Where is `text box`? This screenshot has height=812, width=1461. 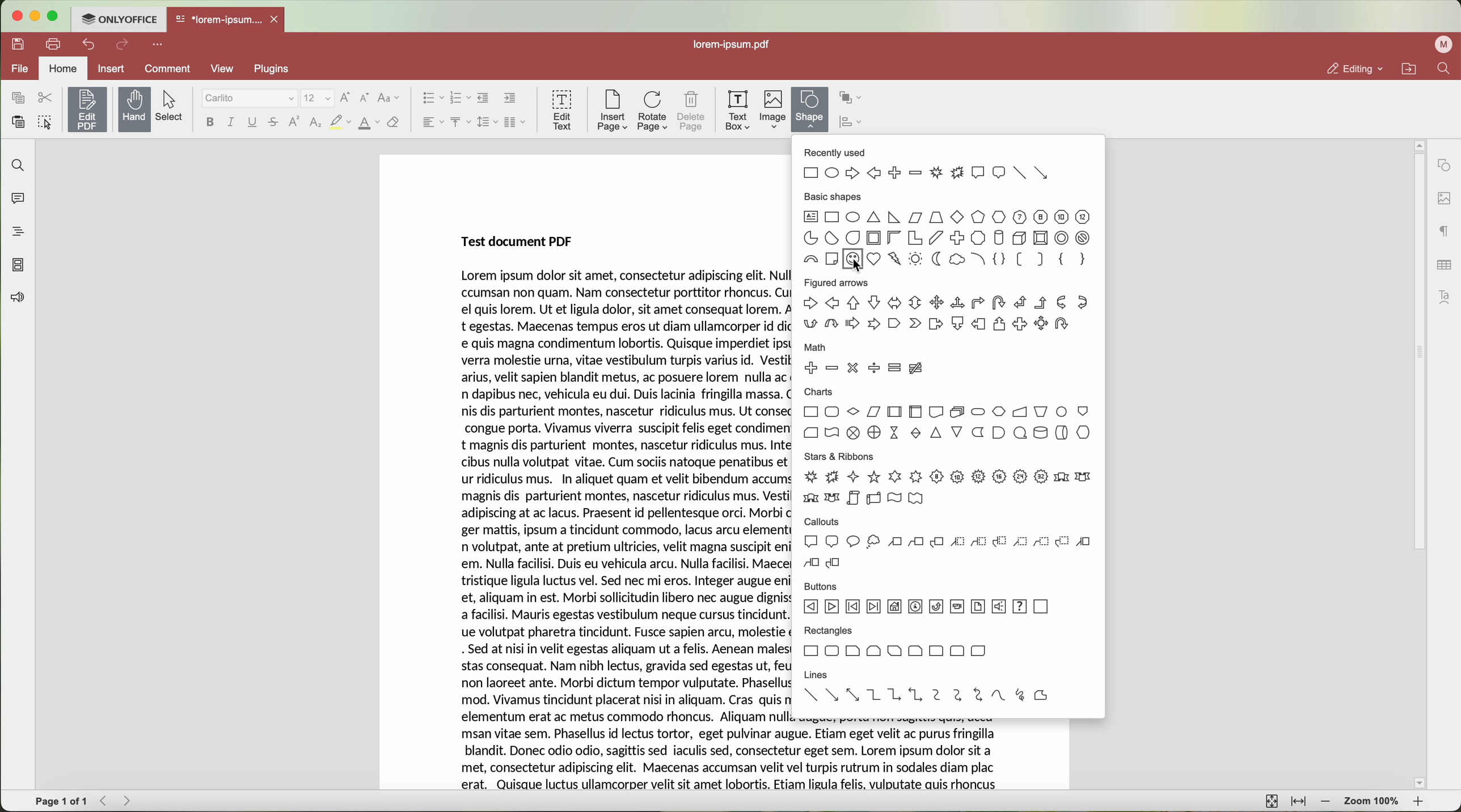
text box is located at coordinates (737, 109).